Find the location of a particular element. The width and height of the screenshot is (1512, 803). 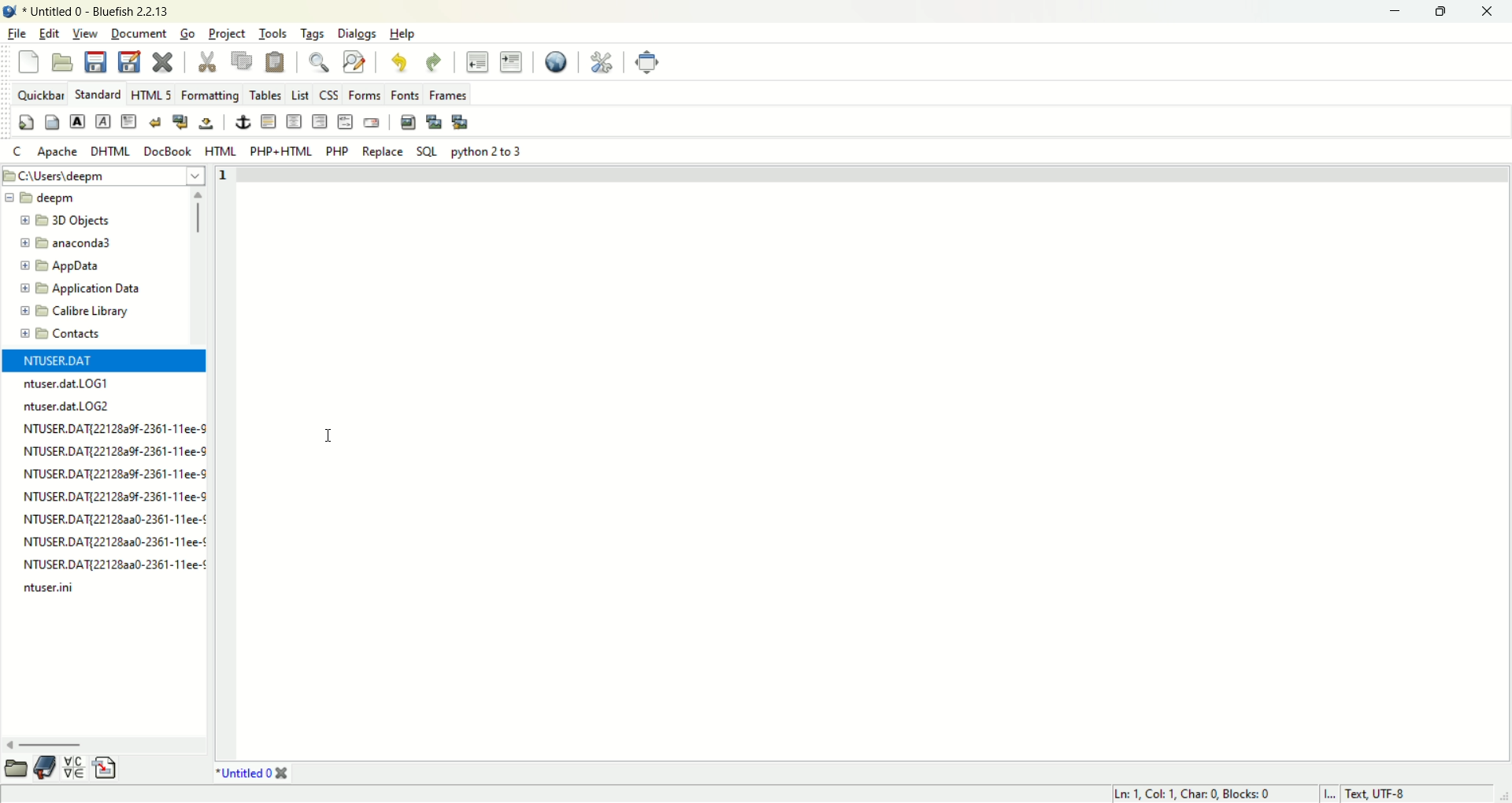

SQL is located at coordinates (429, 152).